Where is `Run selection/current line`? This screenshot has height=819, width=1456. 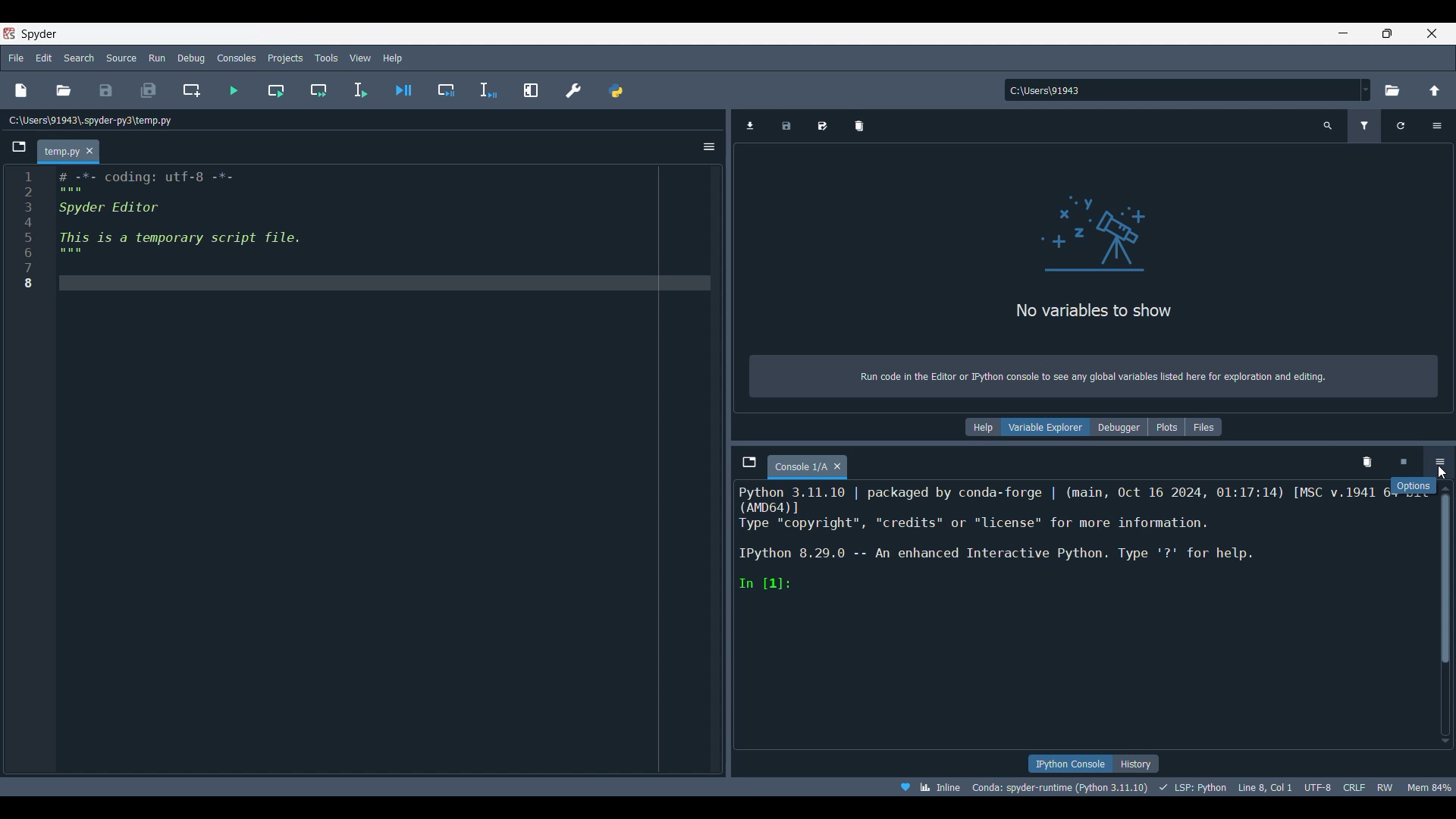 Run selection/current line is located at coordinates (360, 90).